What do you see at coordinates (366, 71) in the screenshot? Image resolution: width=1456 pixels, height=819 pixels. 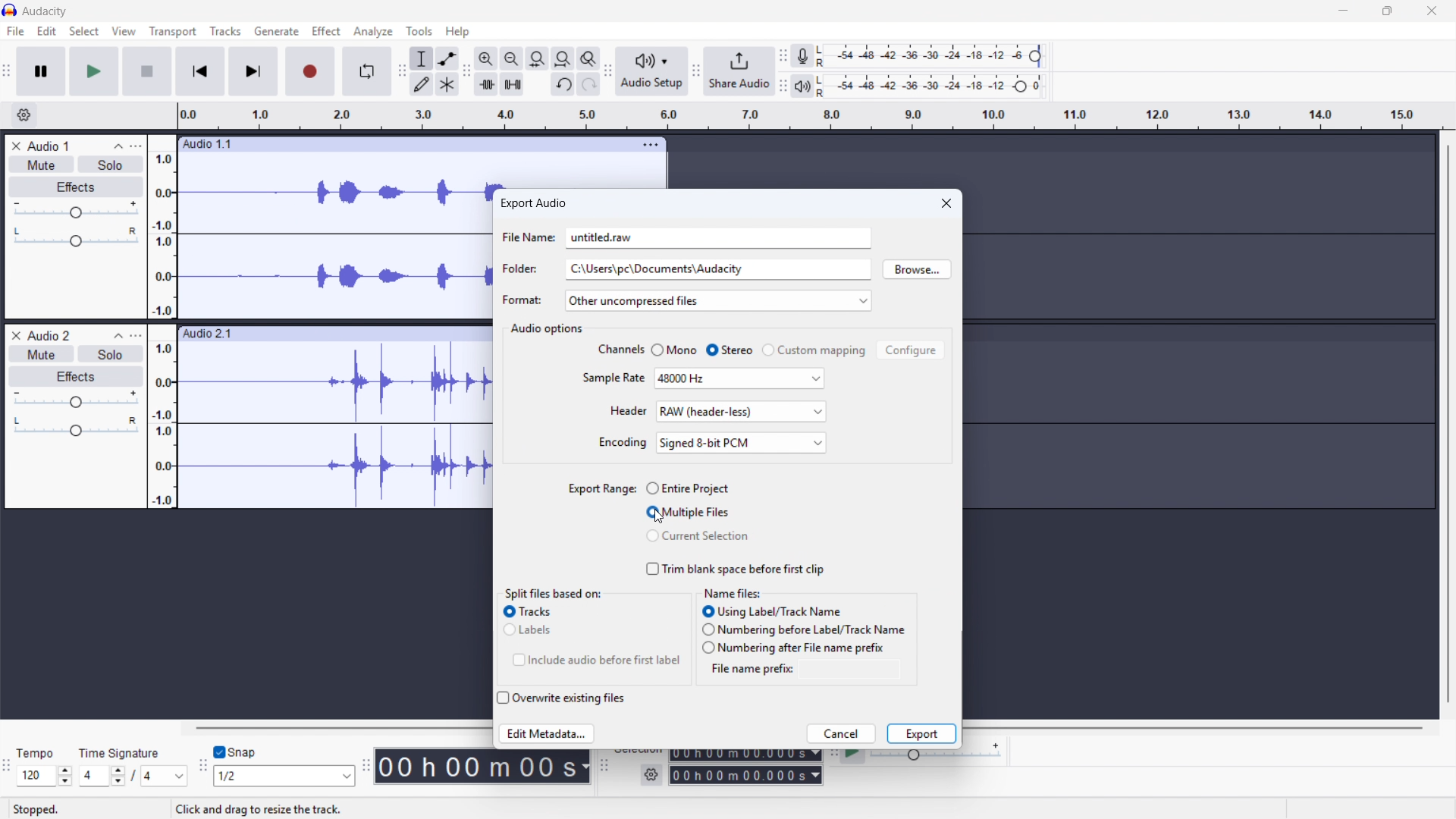 I see `Enable loop ` at bounding box center [366, 71].